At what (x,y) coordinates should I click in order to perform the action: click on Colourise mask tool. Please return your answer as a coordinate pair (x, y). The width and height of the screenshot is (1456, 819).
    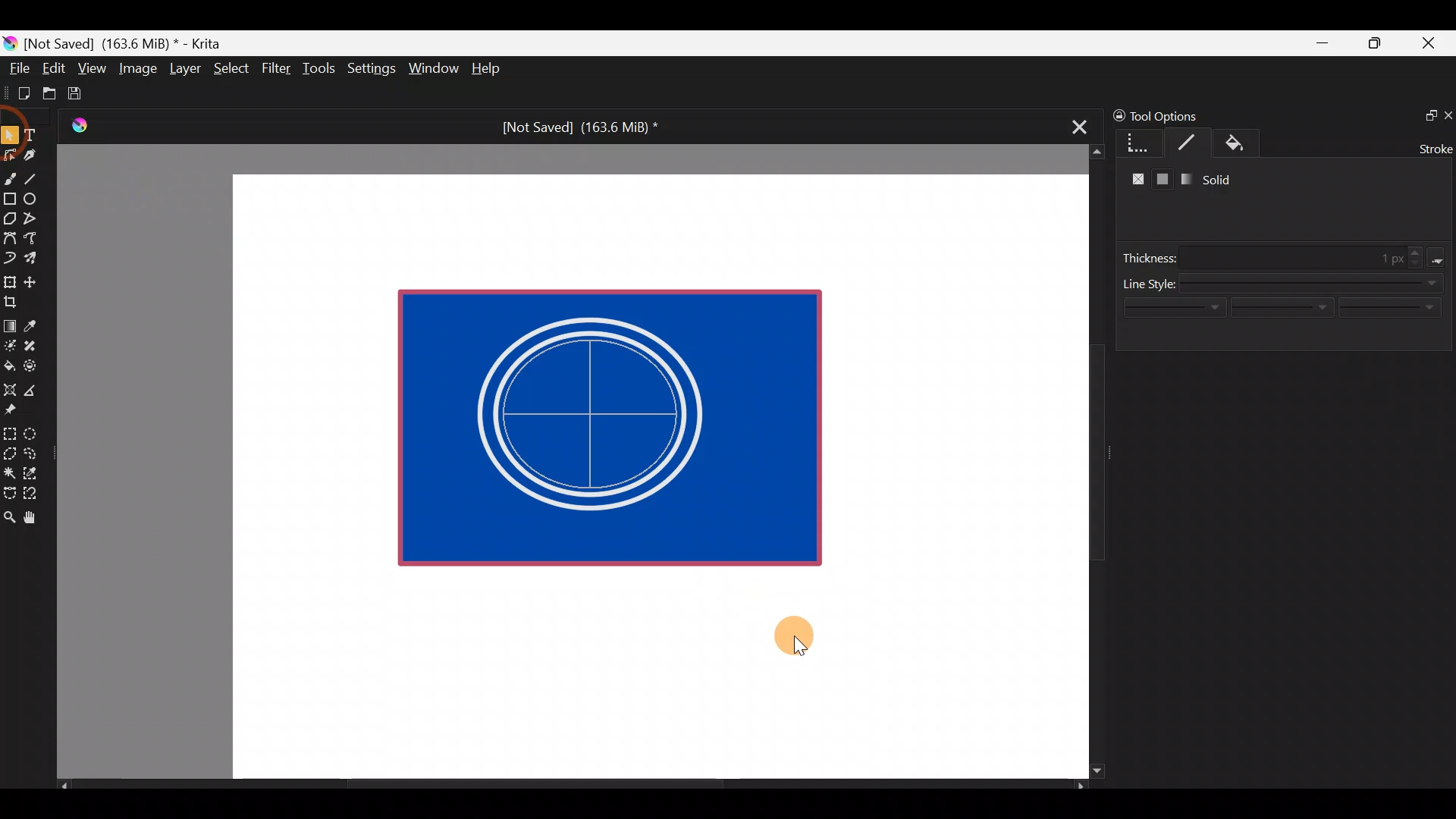
    Looking at the image, I should click on (10, 344).